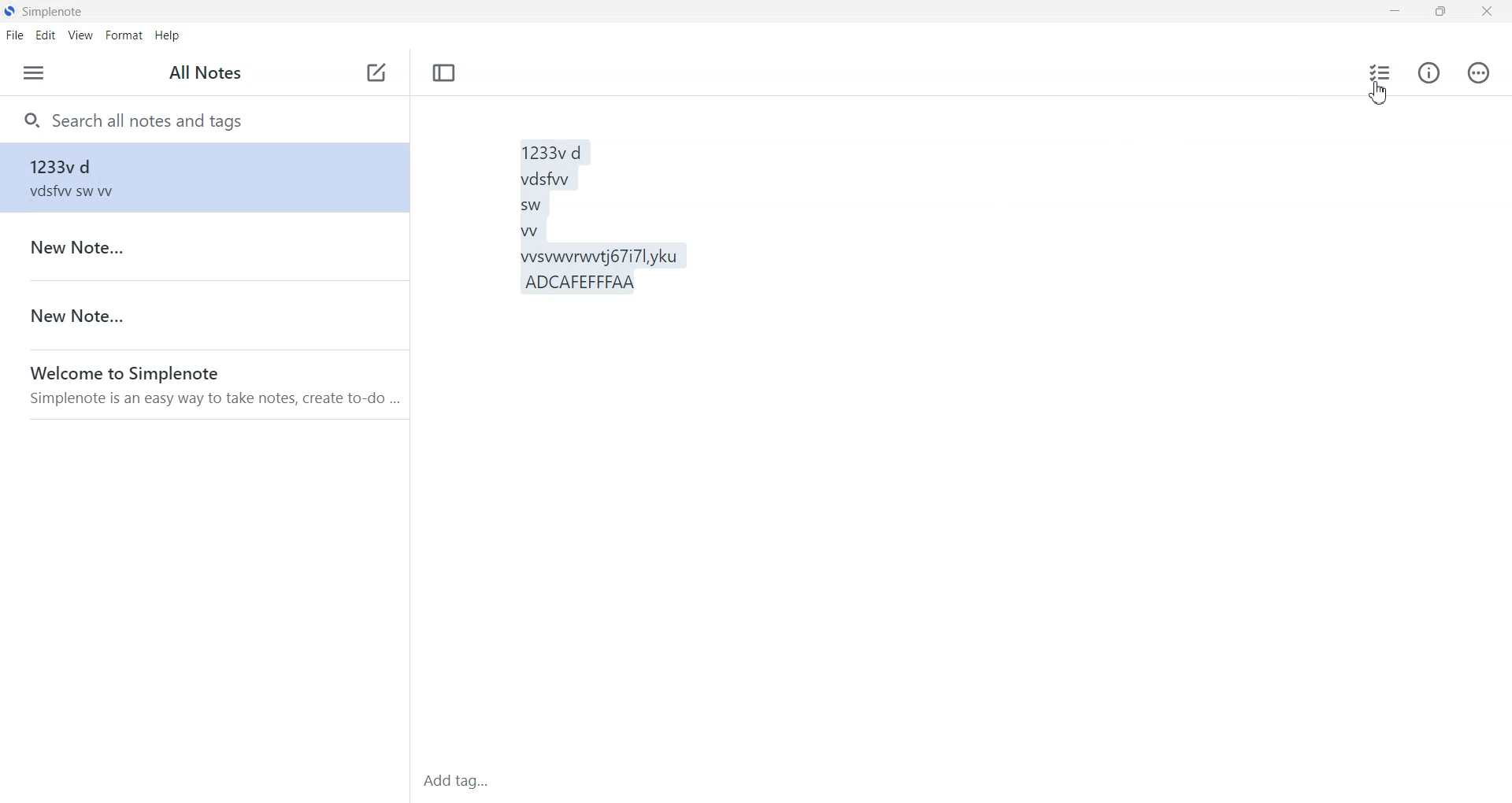  What do you see at coordinates (461, 781) in the screenshot?
I see `Add tag` at bounding box center [461, 781].